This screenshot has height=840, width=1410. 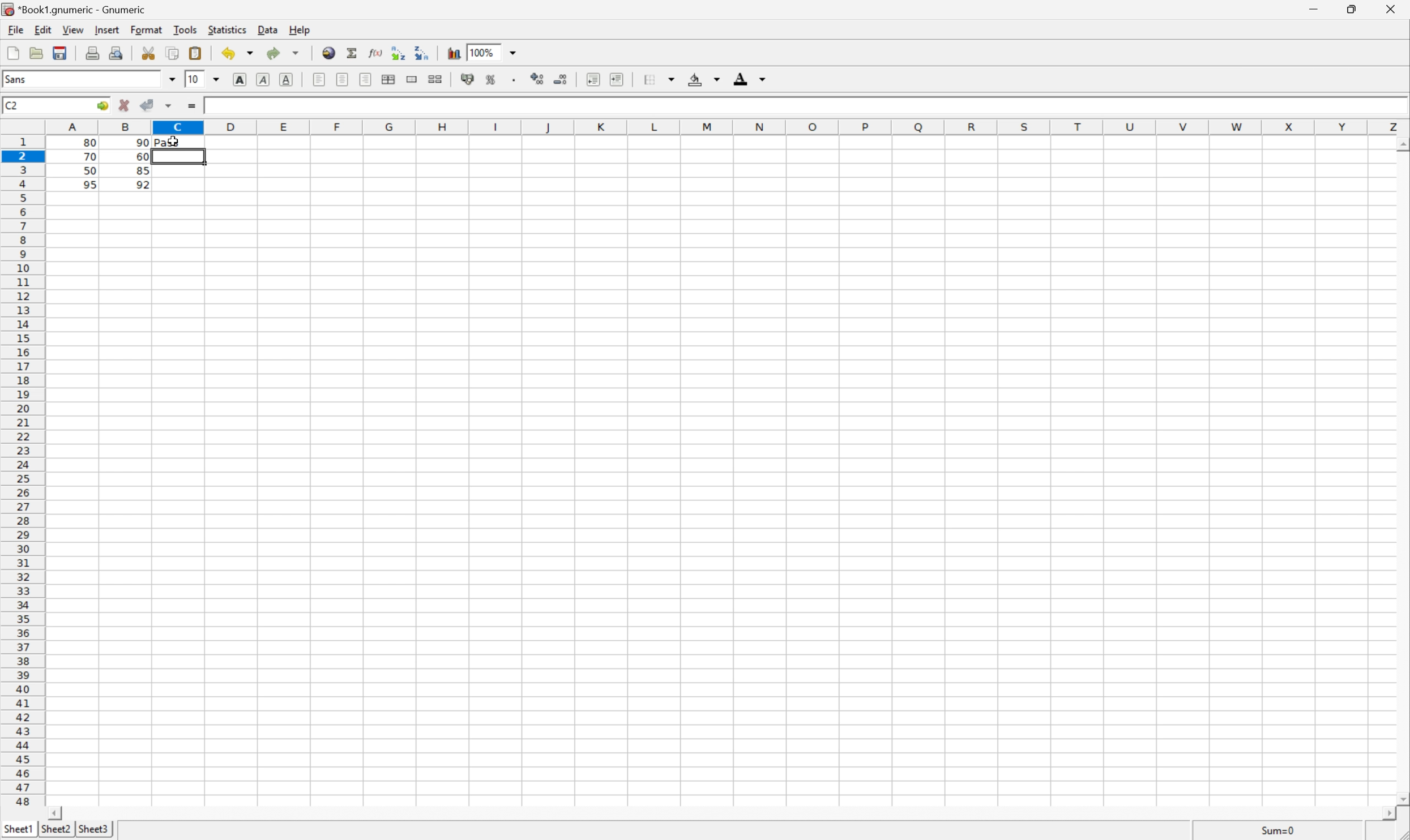 I want to click on Background, so click(x=704, y=79).